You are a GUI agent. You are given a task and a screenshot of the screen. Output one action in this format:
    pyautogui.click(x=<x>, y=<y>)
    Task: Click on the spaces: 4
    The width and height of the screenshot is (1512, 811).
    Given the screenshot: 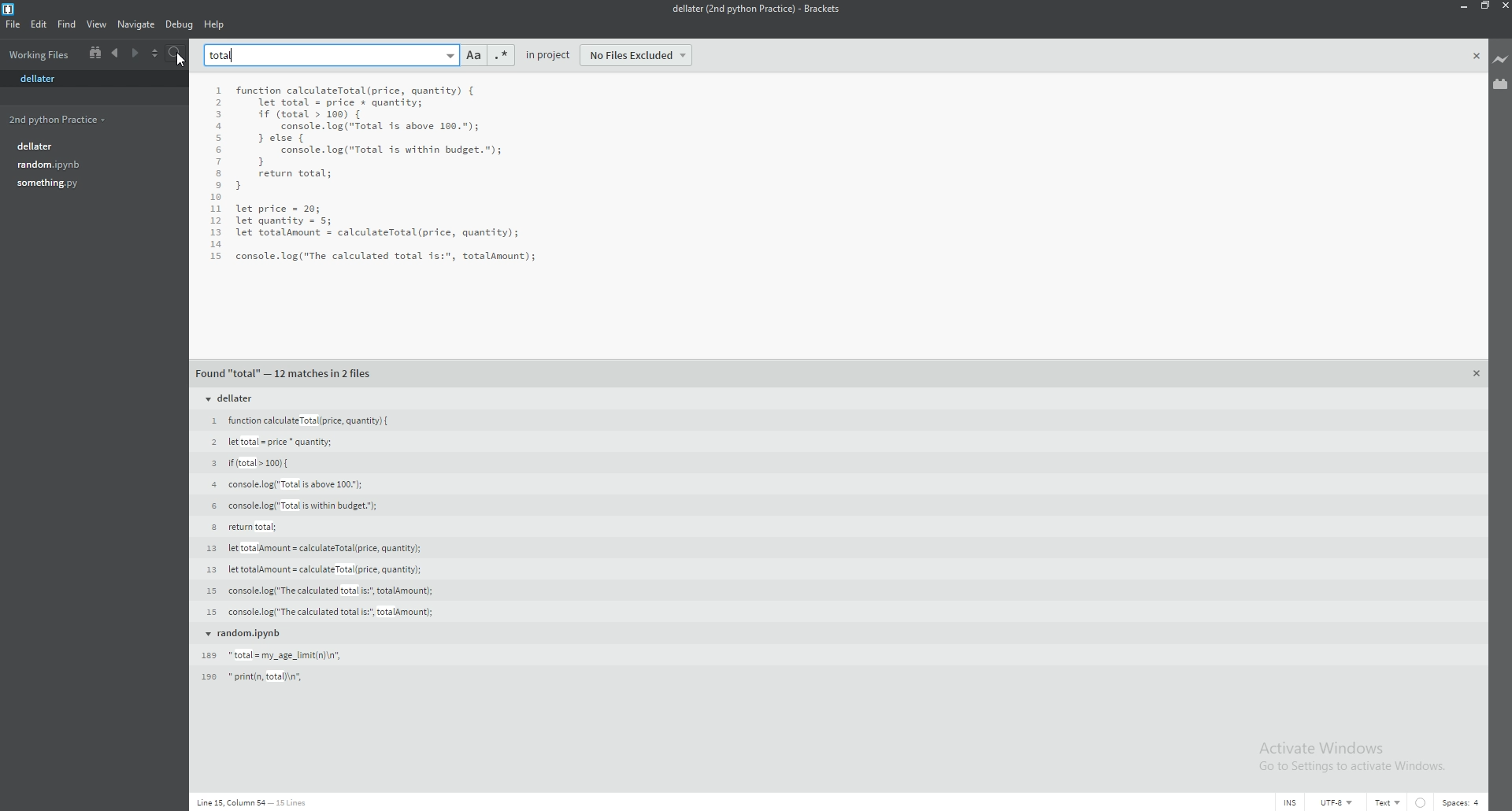 What is the action you would take?
    pyautogui.click(x=1462, y=803)
    